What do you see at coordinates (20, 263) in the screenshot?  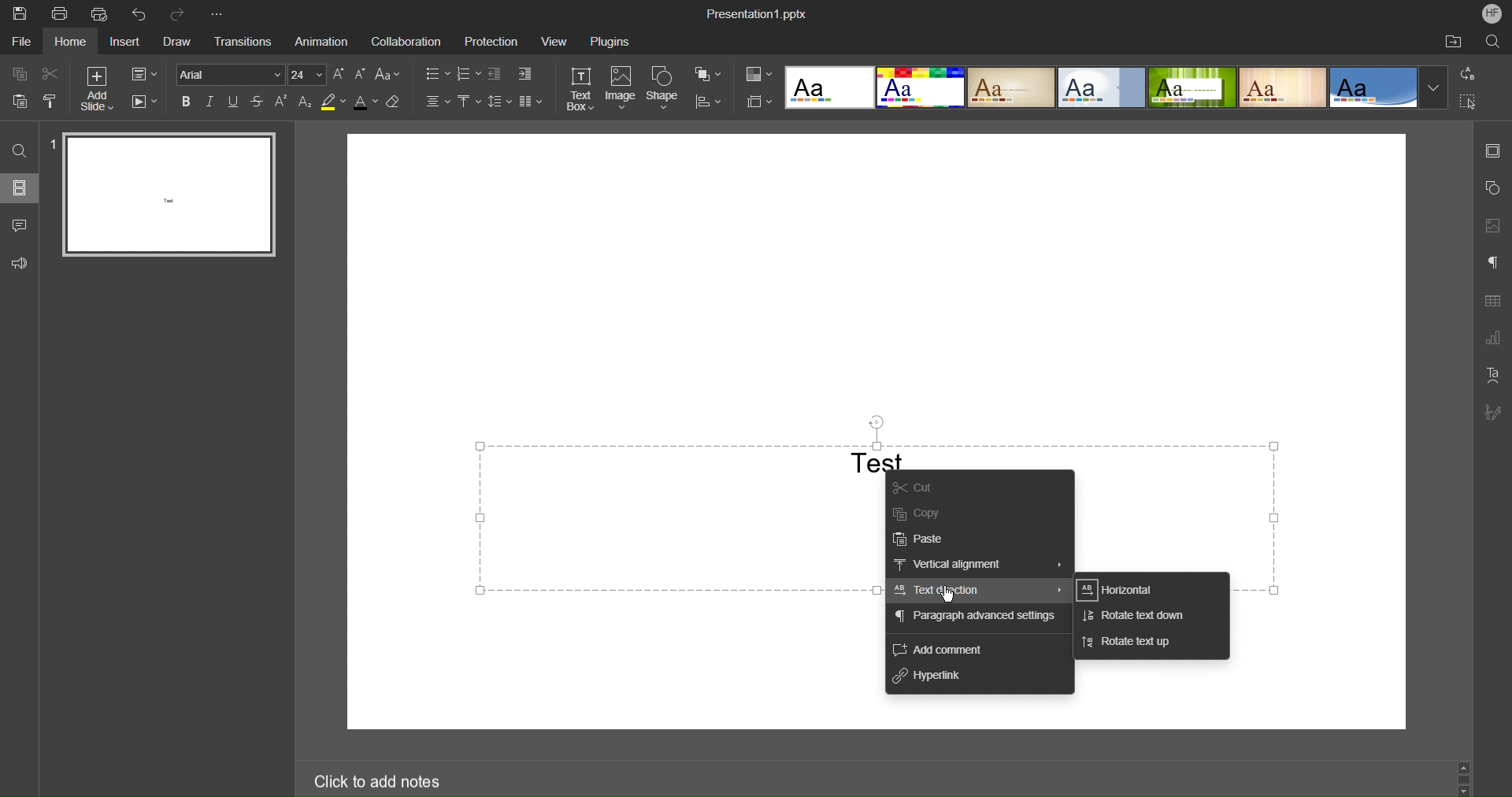 I see `Feedback and Support` at bounding box center [20, 263].